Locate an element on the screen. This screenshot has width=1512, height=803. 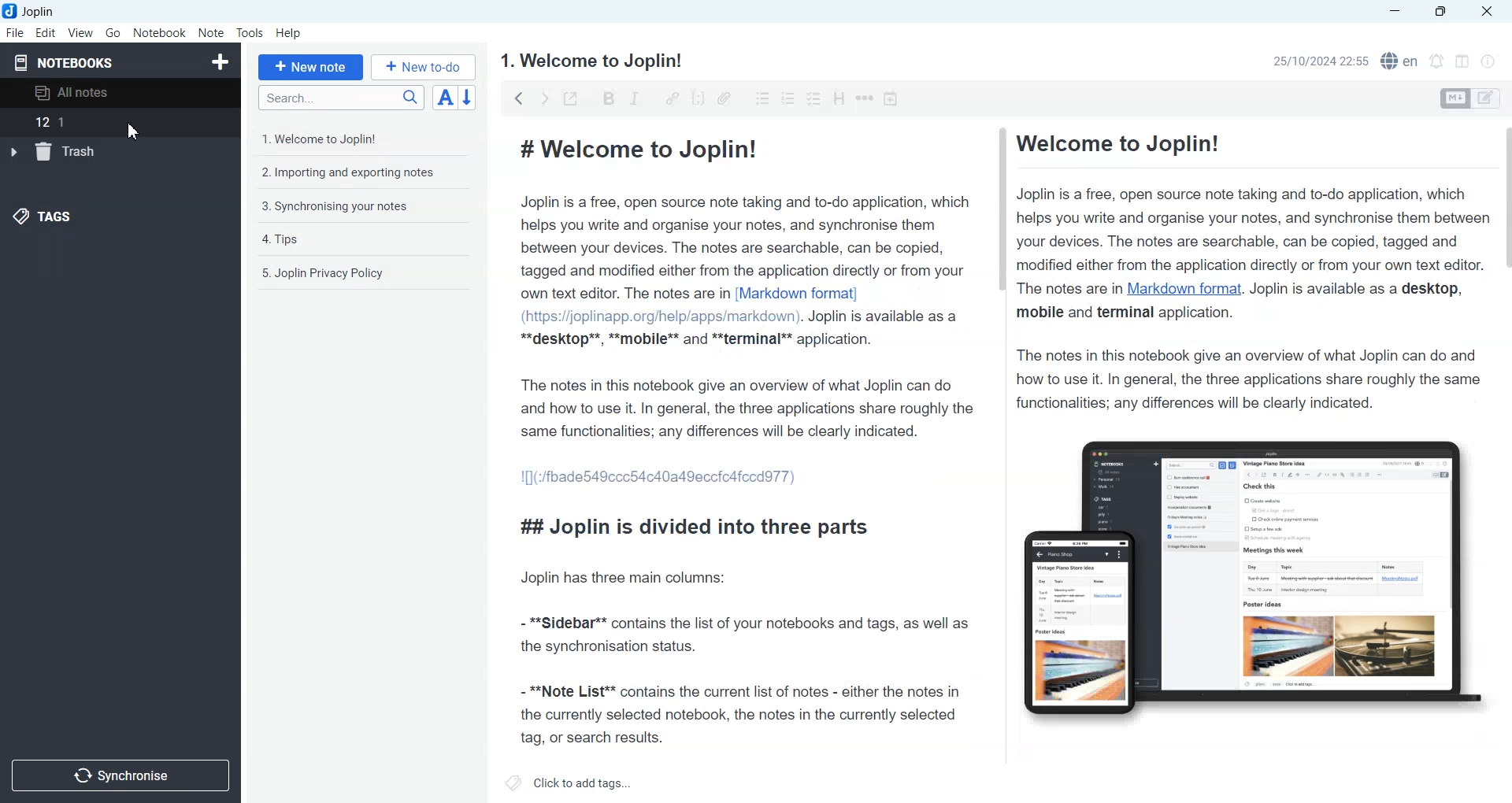
Numbered list is located at coordinates (787, 98).